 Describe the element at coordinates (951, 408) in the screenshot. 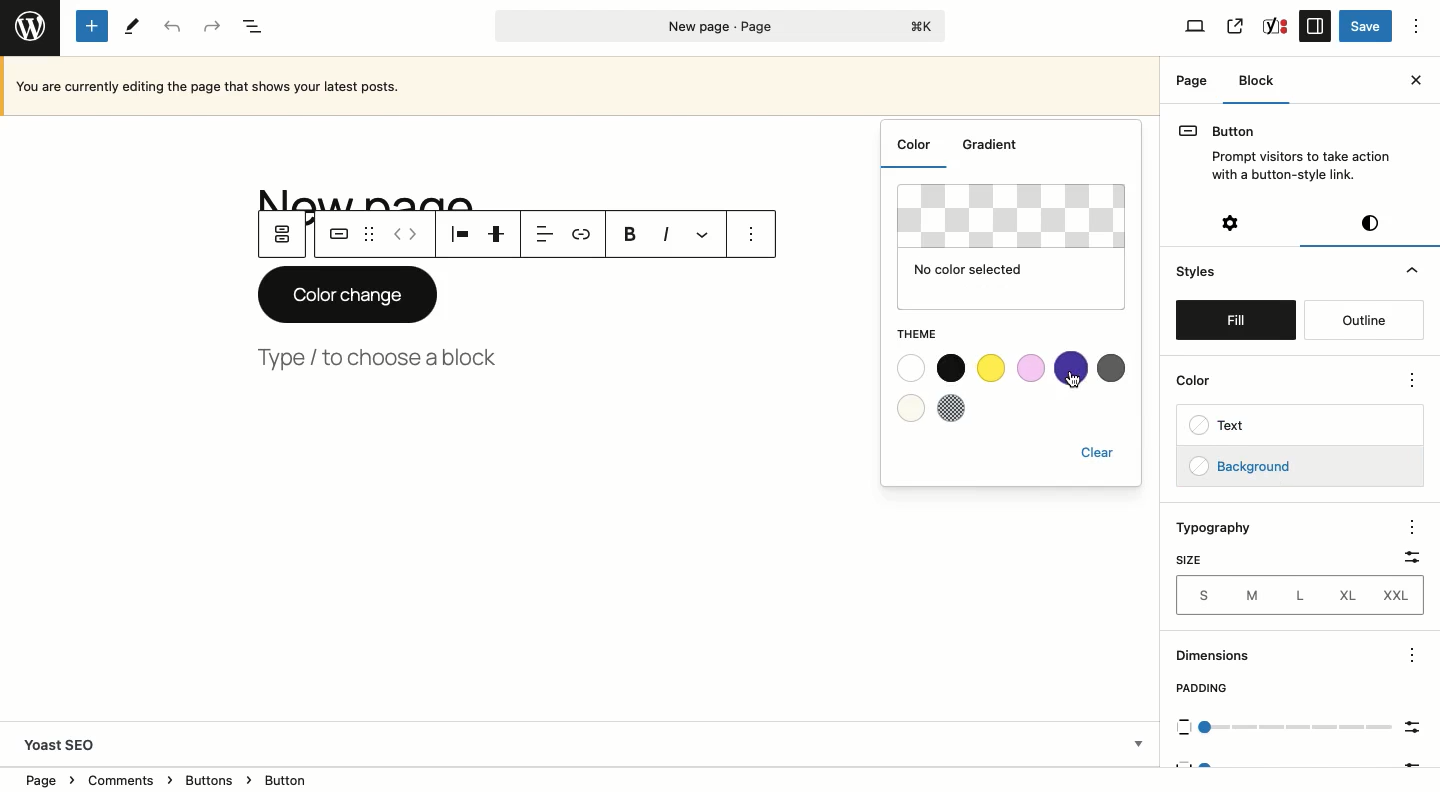

I see `Checkered` at that location.